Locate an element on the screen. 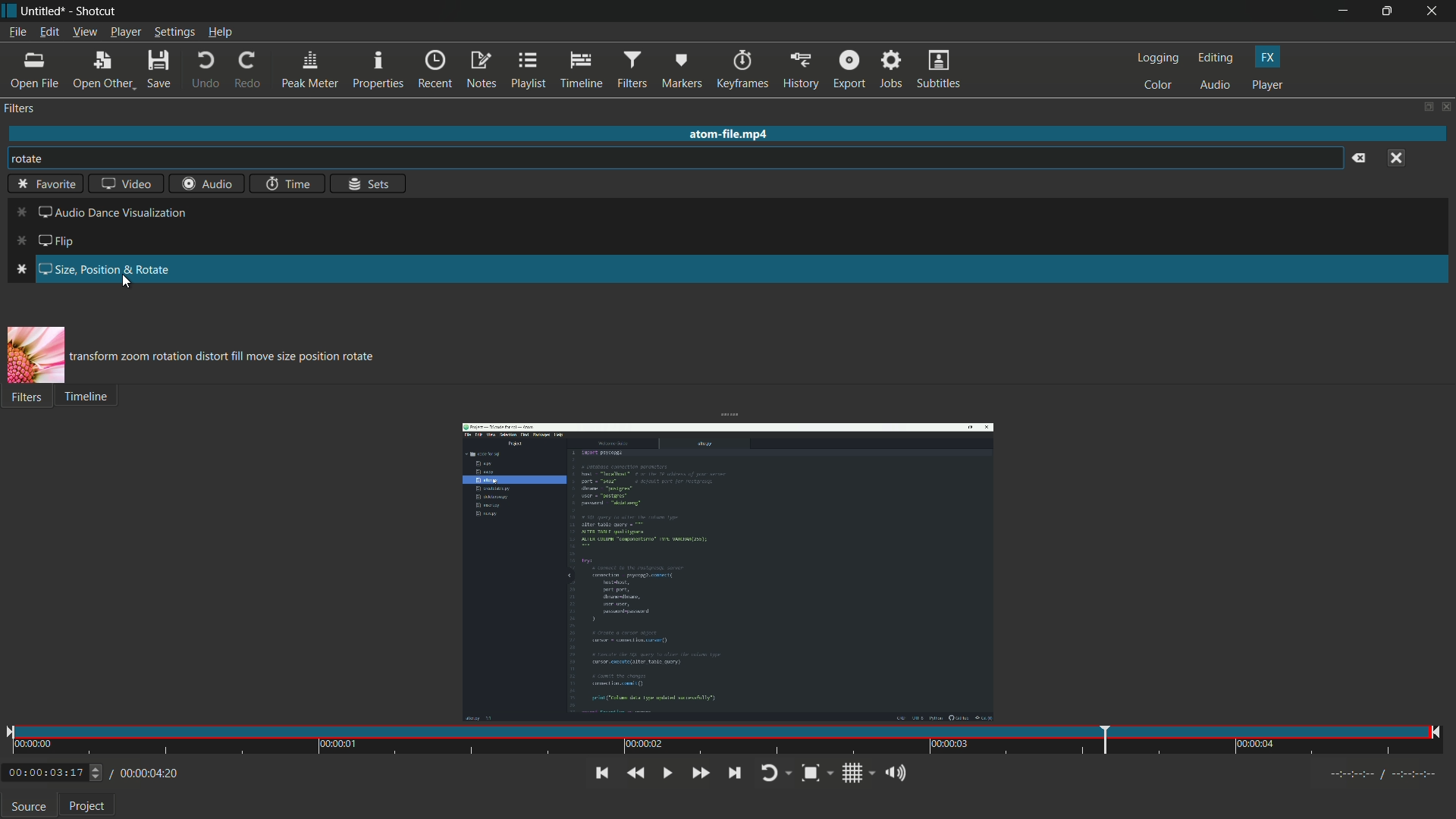 This screenshot has width=1456, height=819. fx is located at coordinates (1269, 56).